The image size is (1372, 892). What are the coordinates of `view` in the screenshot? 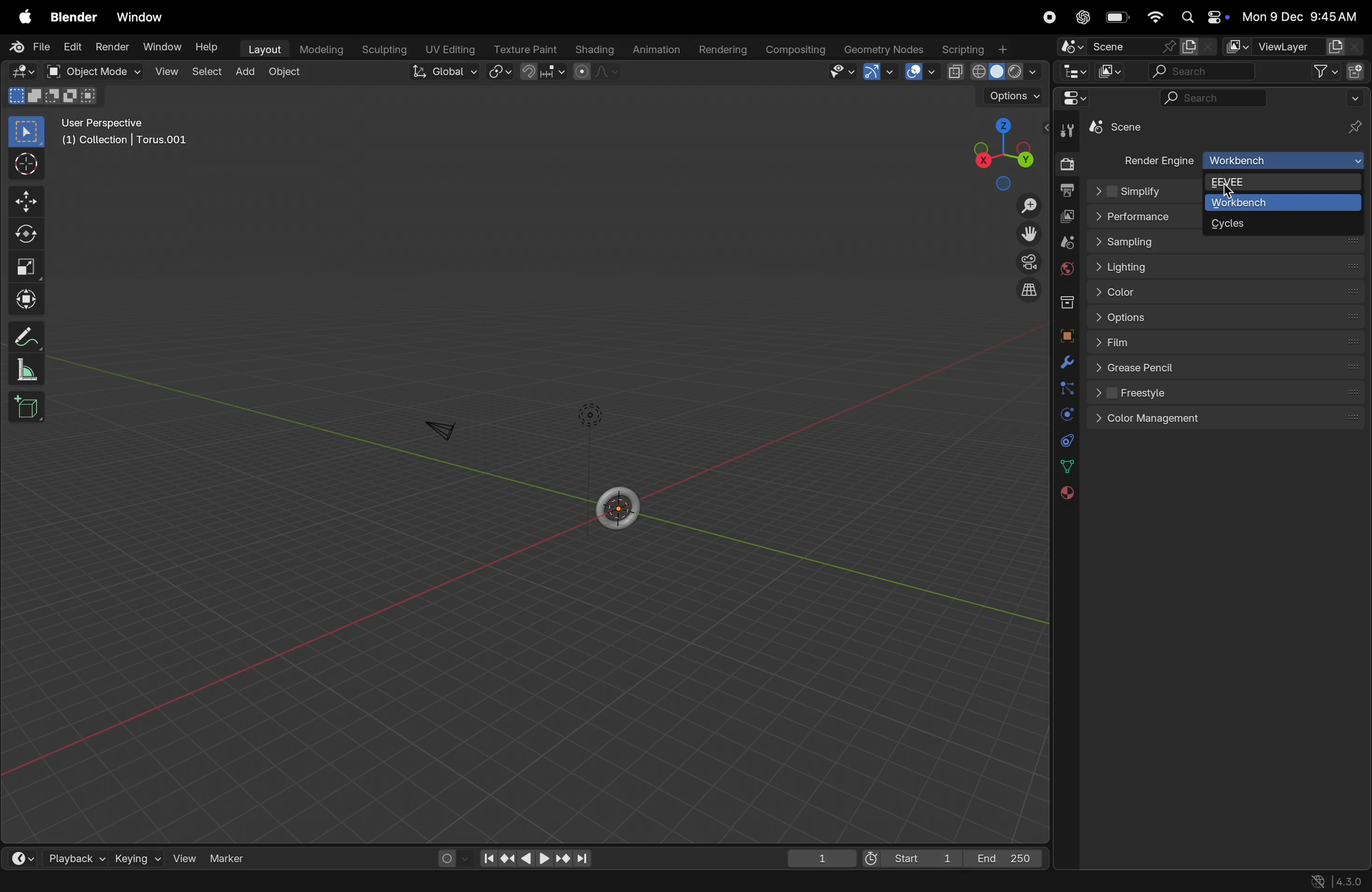 It's located at (846, 73).